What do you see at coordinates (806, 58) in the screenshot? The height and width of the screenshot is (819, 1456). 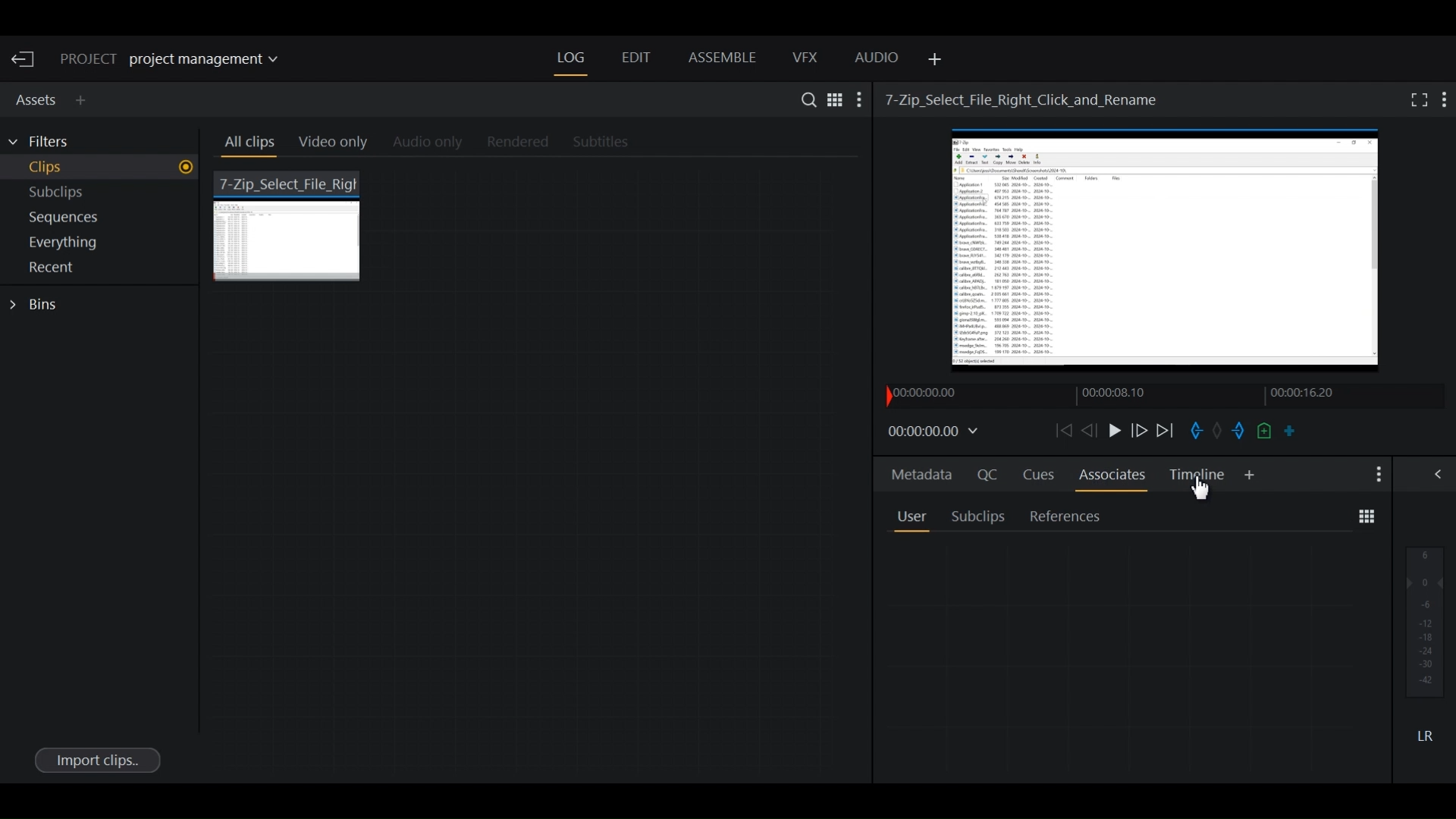 I see `VFX` at bounding box center [806, 58].